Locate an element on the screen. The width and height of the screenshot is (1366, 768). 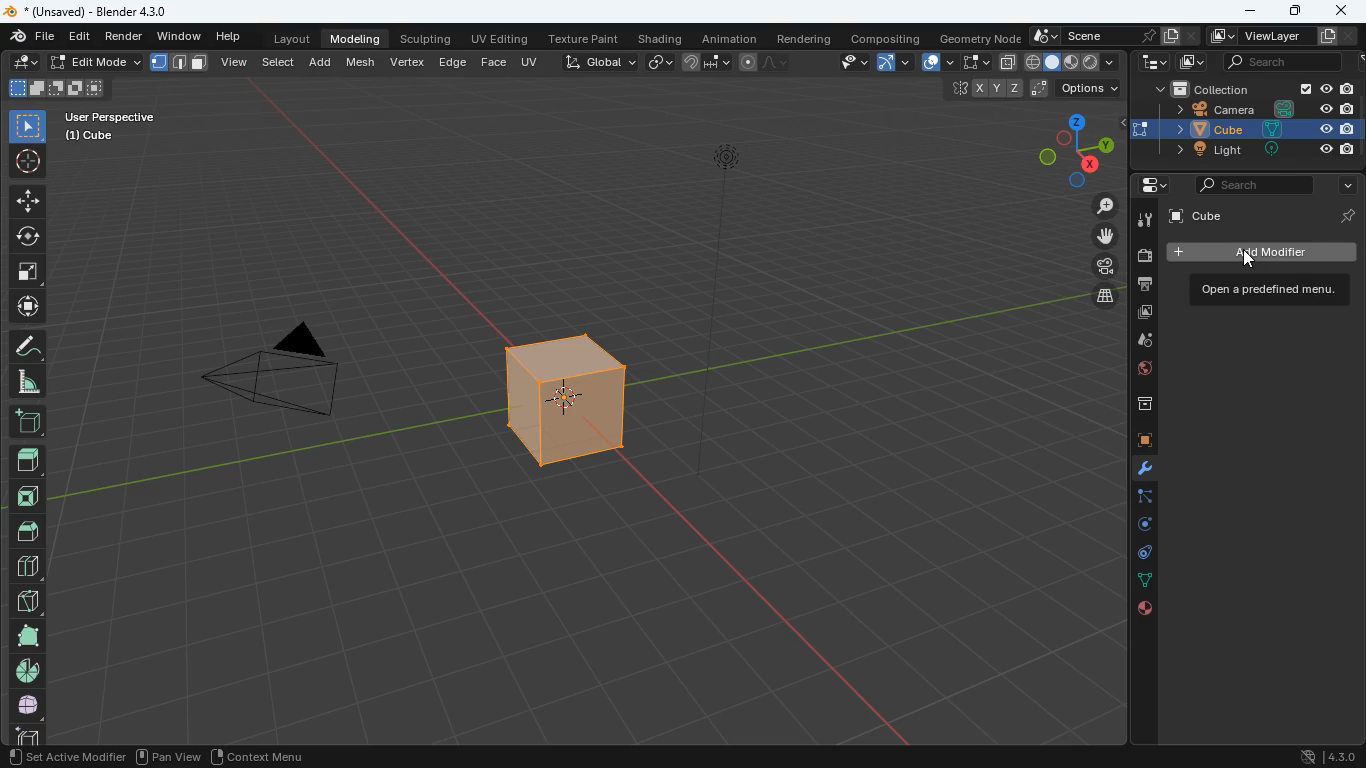
top is located at coordinates (28, 464).